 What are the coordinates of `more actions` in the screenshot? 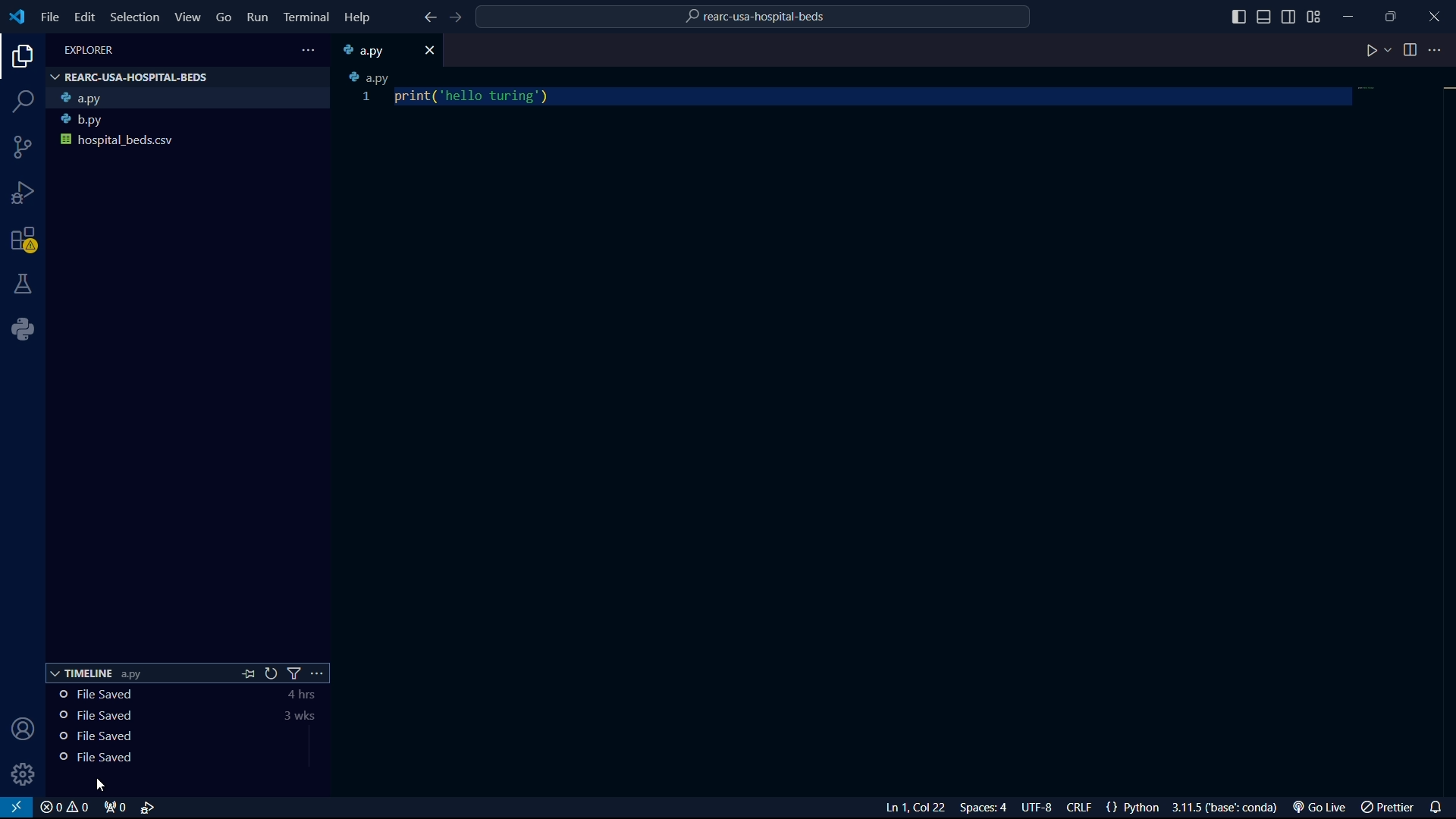 It's located at (324, 672).